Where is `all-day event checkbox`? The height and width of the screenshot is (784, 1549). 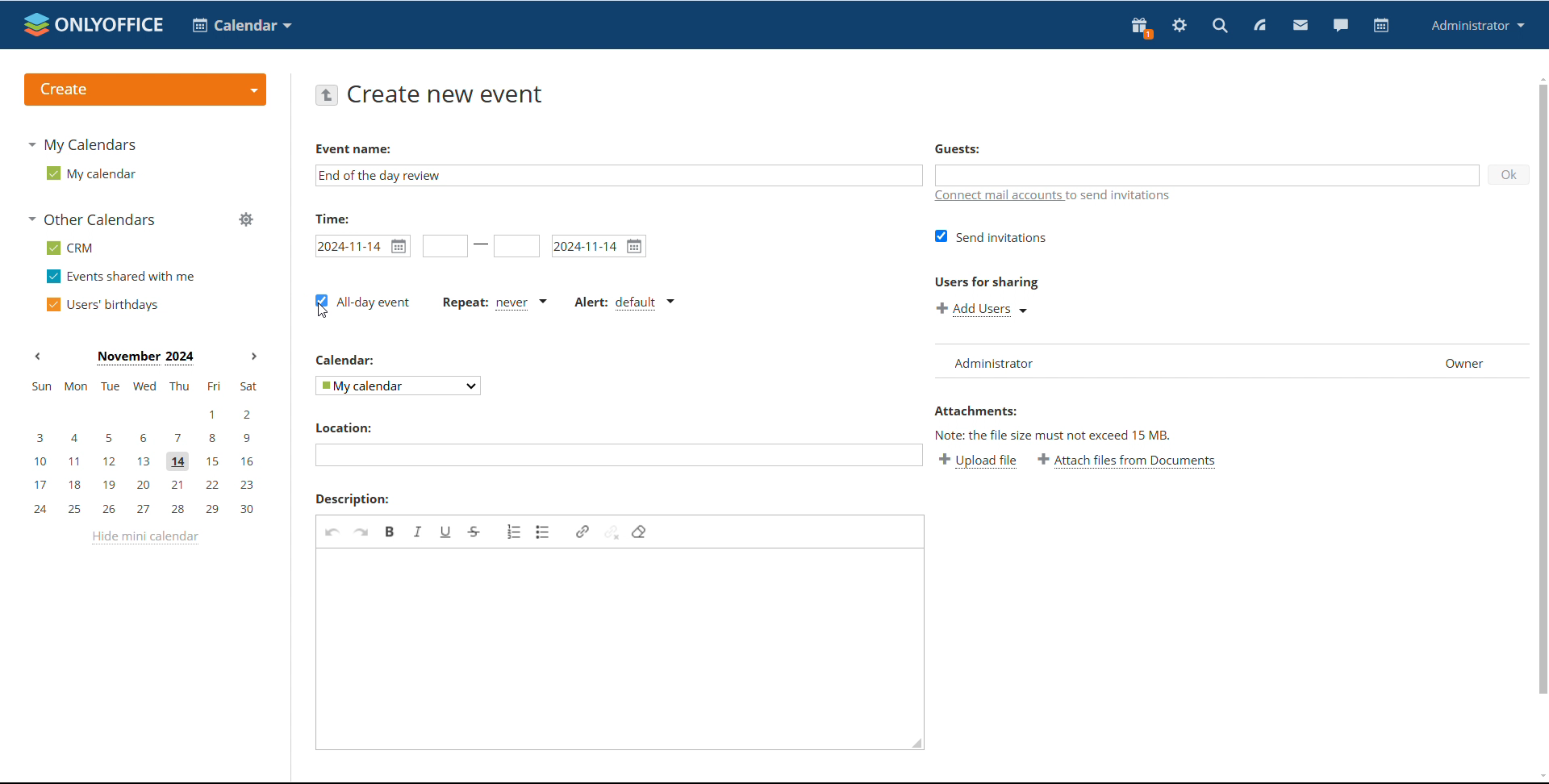
all-day event checkbox is located at coordinates (362, 302).